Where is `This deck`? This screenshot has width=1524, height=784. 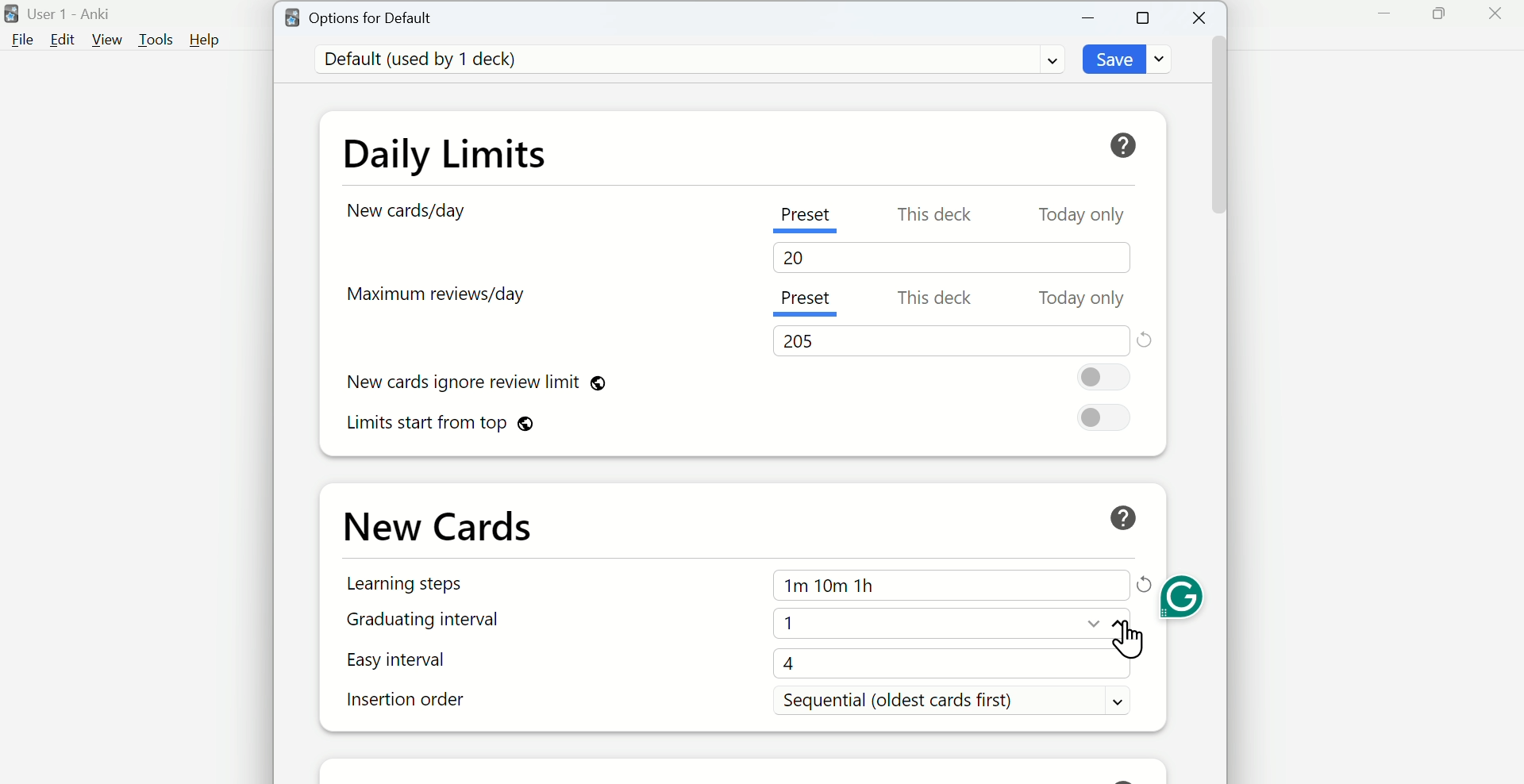 This deck is located at coordinates (937, 215).